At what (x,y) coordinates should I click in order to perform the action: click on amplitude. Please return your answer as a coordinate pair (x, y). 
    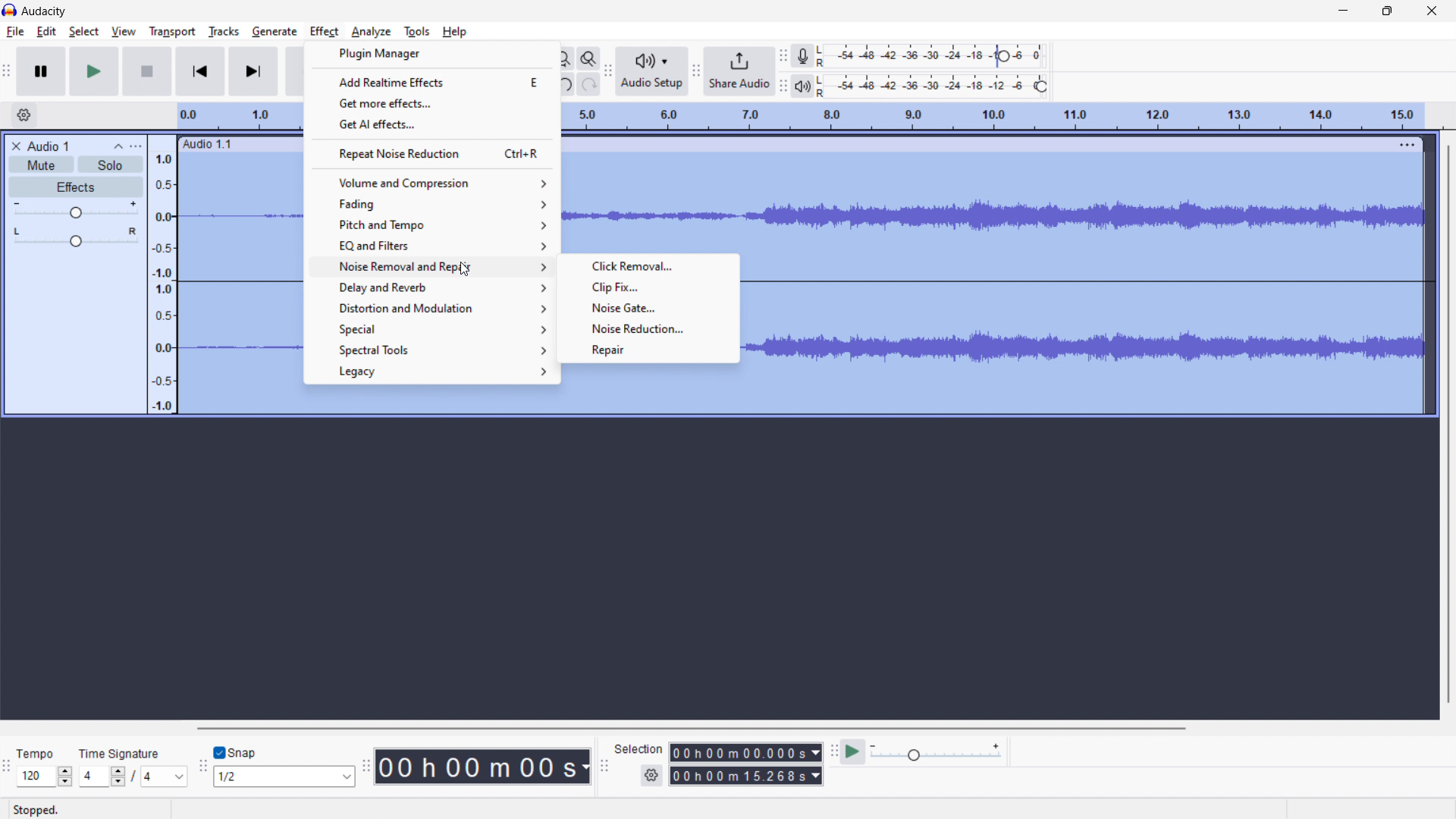
    Looking at the image, I should click on (162, 275).